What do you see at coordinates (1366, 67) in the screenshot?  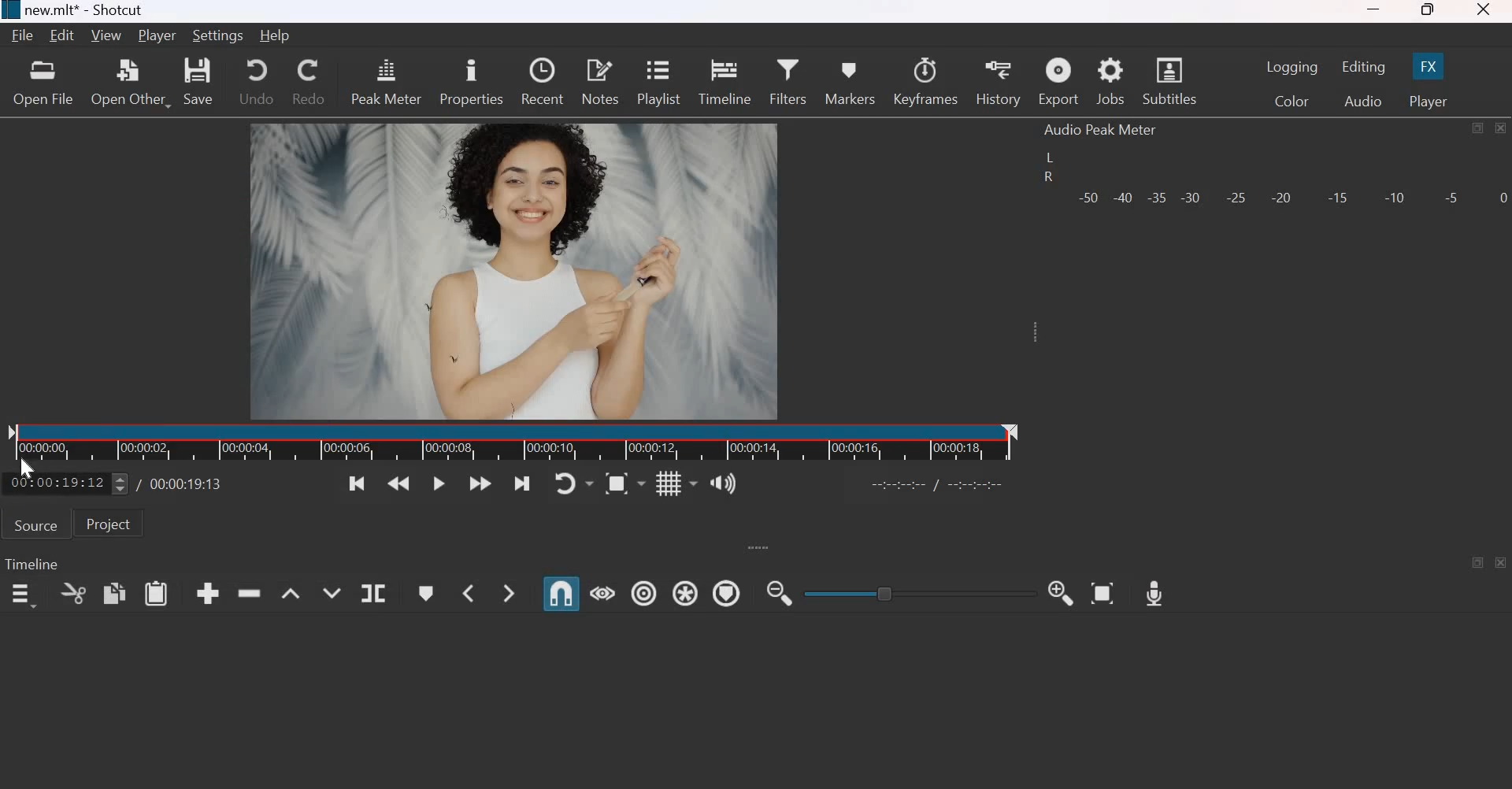 I see `Editing` at bounding box center [1366, 67].